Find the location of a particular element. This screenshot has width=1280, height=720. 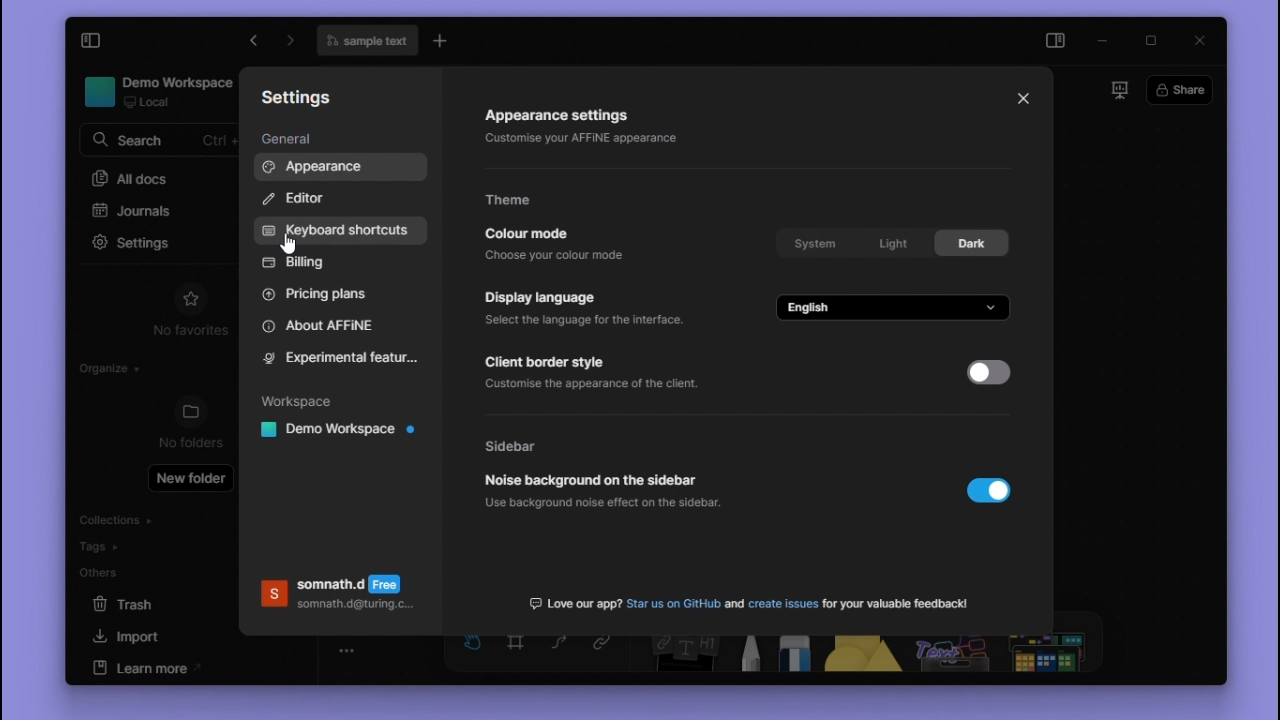

Eraser is located at coordinates (793, 656).